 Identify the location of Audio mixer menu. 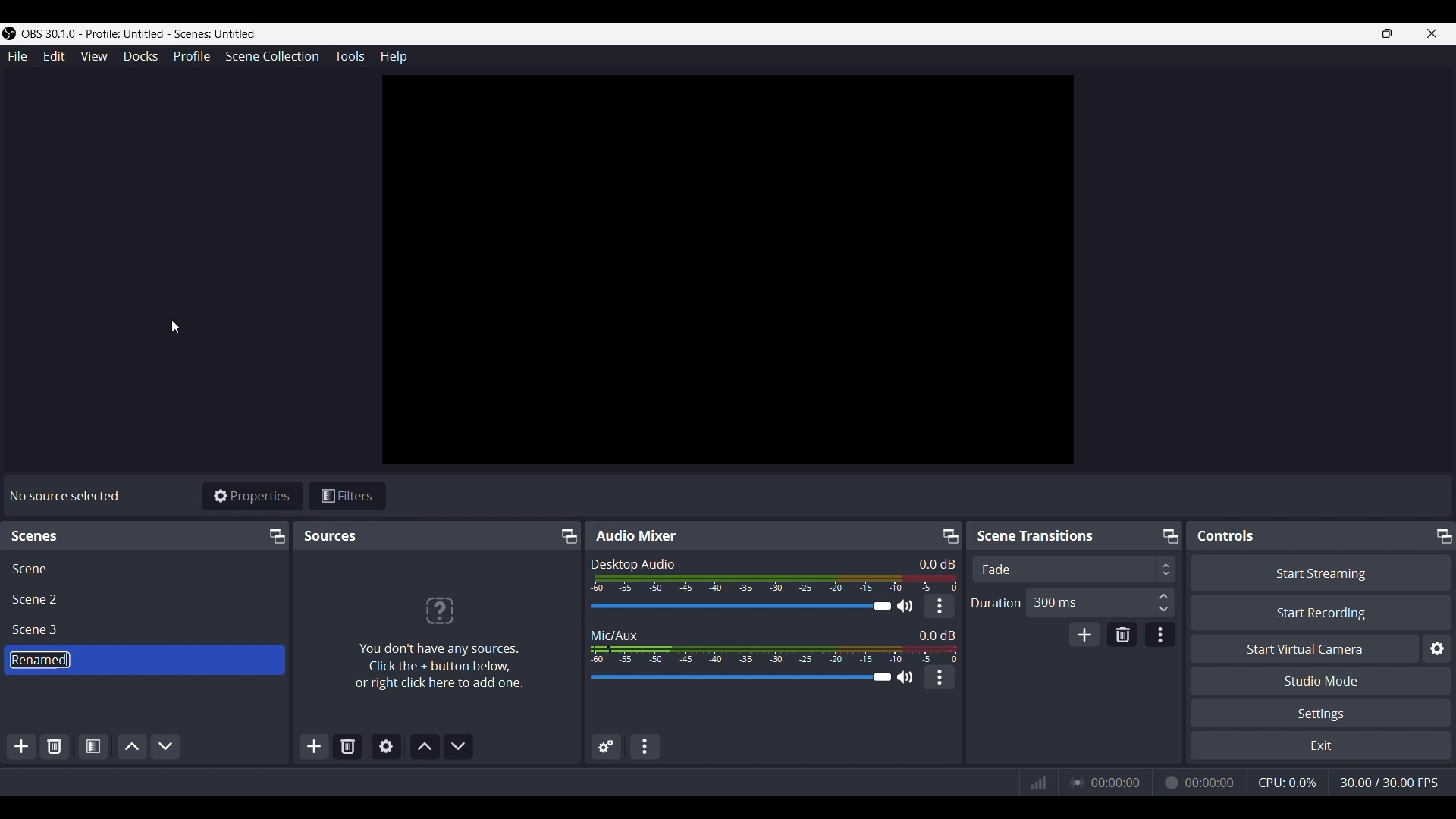
(646, 746).